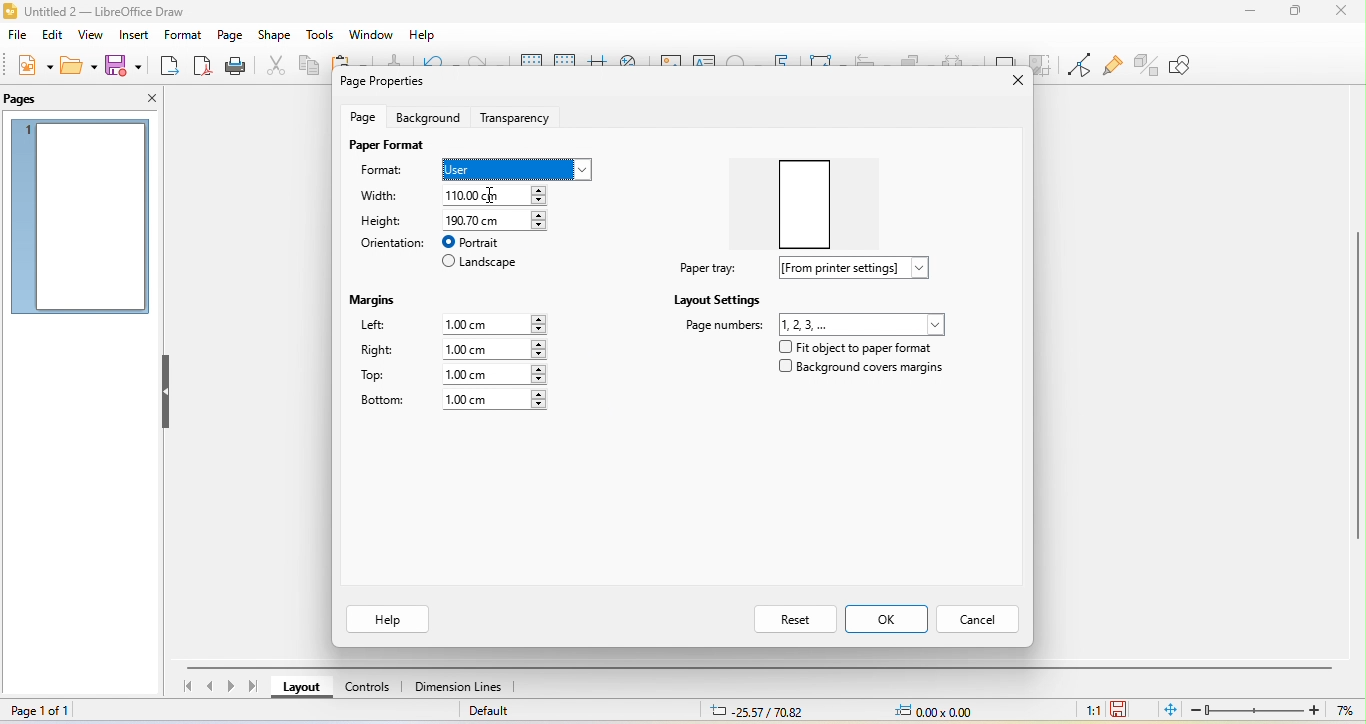 The image size is (1366, 724). I want to click on hide, so click(167, 393).